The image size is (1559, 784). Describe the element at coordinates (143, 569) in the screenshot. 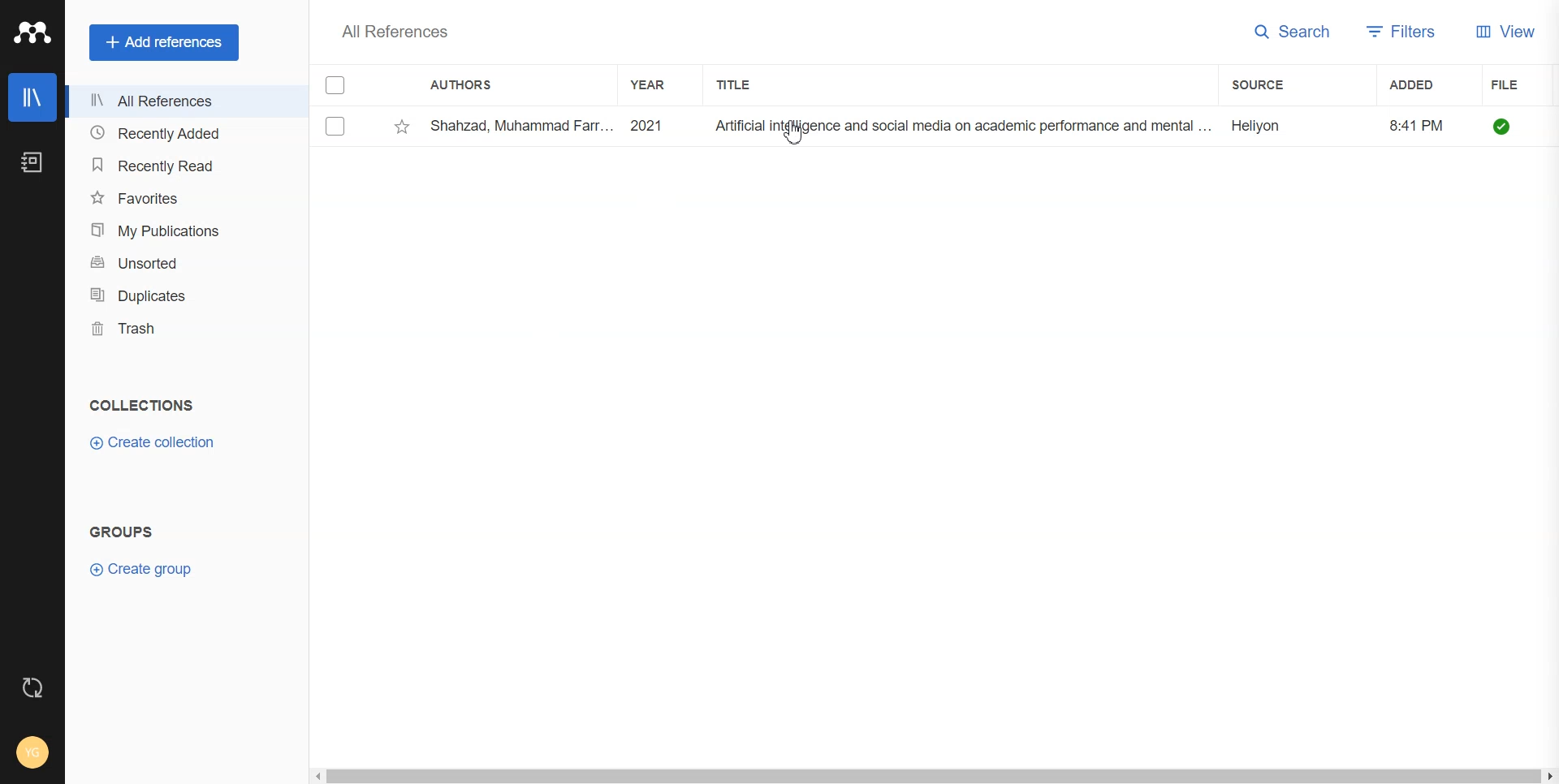

I see `Create group` at that location.